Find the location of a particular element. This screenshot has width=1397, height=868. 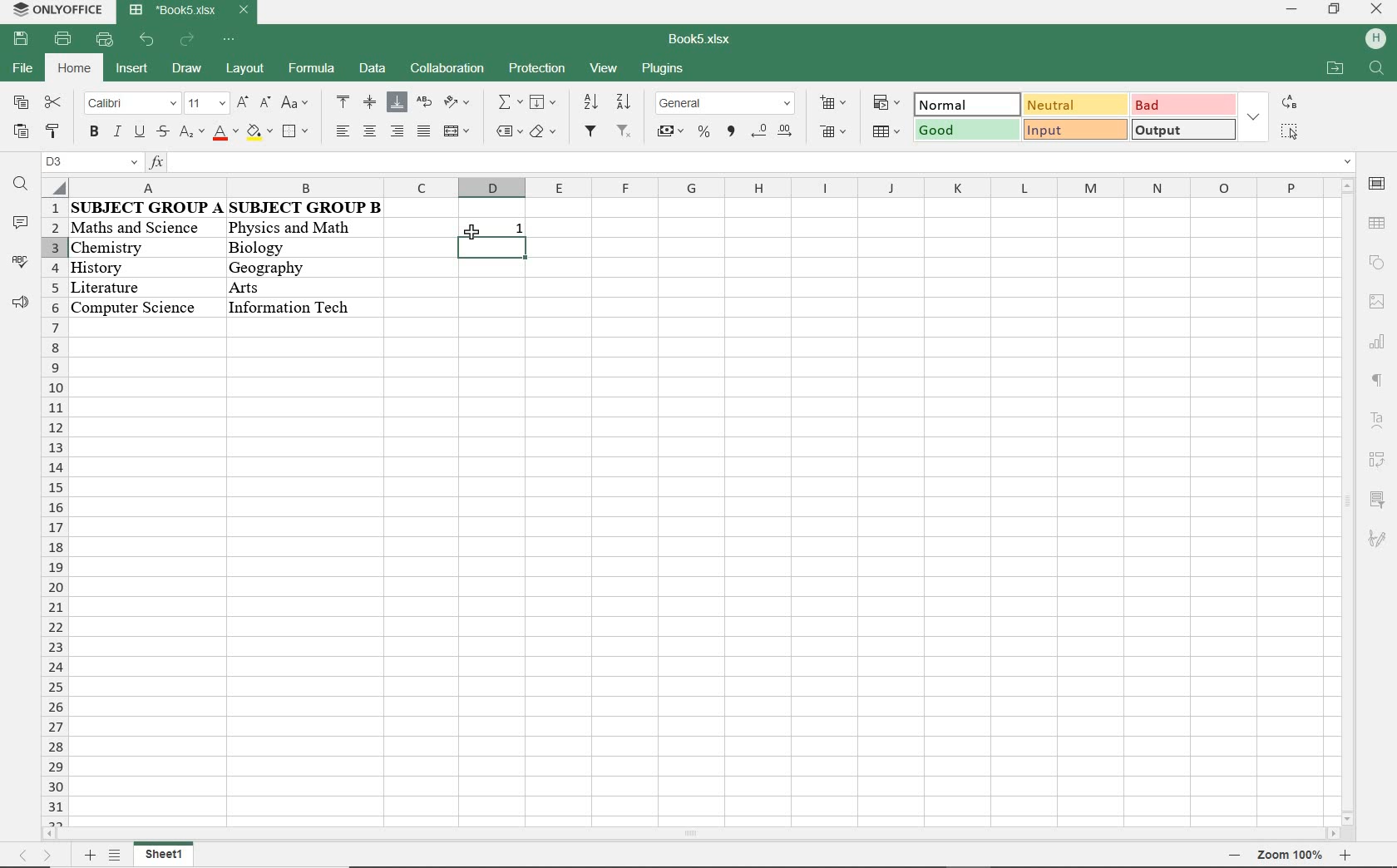

align top is located at coordinates (343, 101).